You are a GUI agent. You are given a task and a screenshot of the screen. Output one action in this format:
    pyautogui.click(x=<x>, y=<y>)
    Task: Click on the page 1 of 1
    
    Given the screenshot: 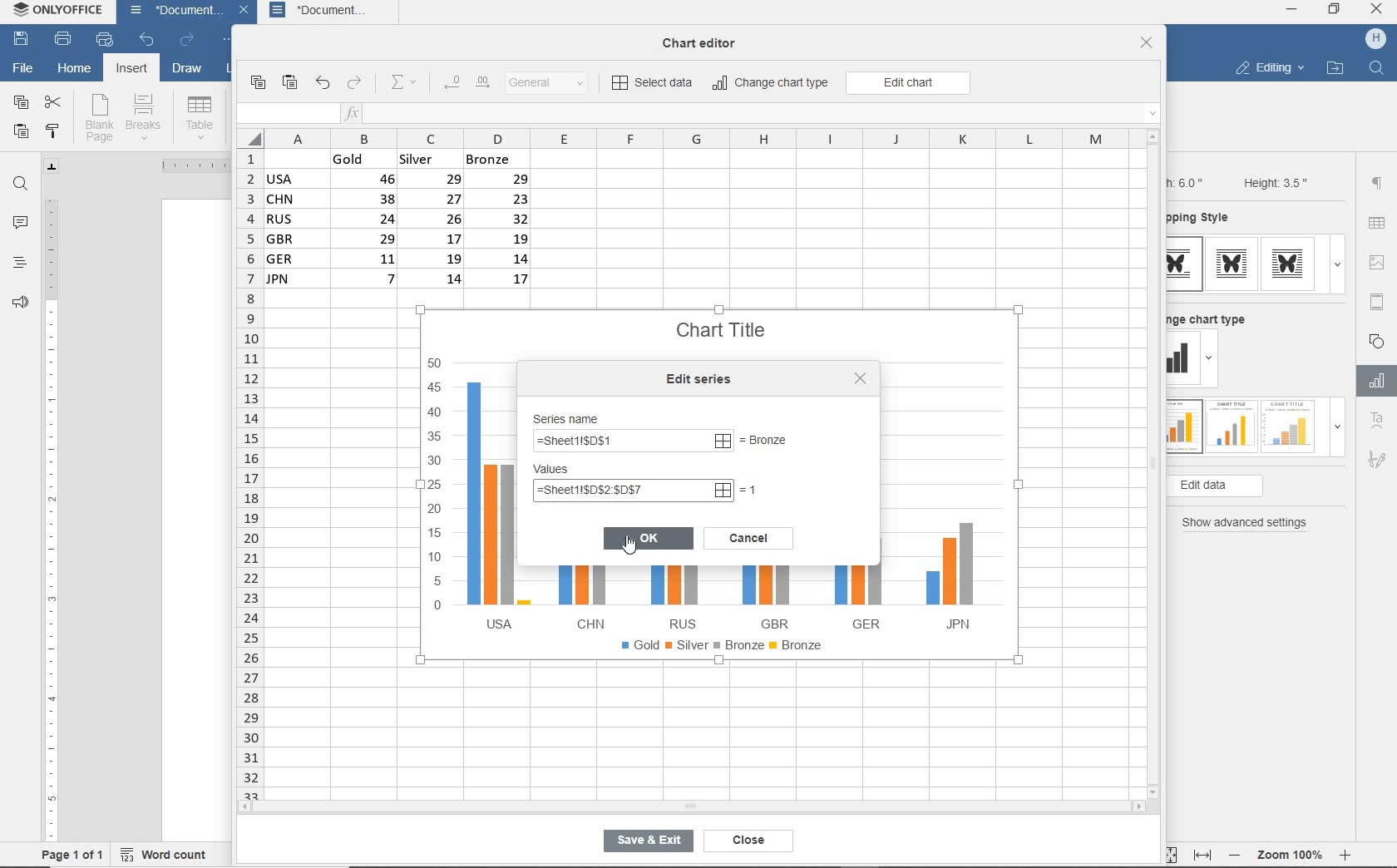 What is the action you would take?
    pyautogui.click(x=73, y=854)
    